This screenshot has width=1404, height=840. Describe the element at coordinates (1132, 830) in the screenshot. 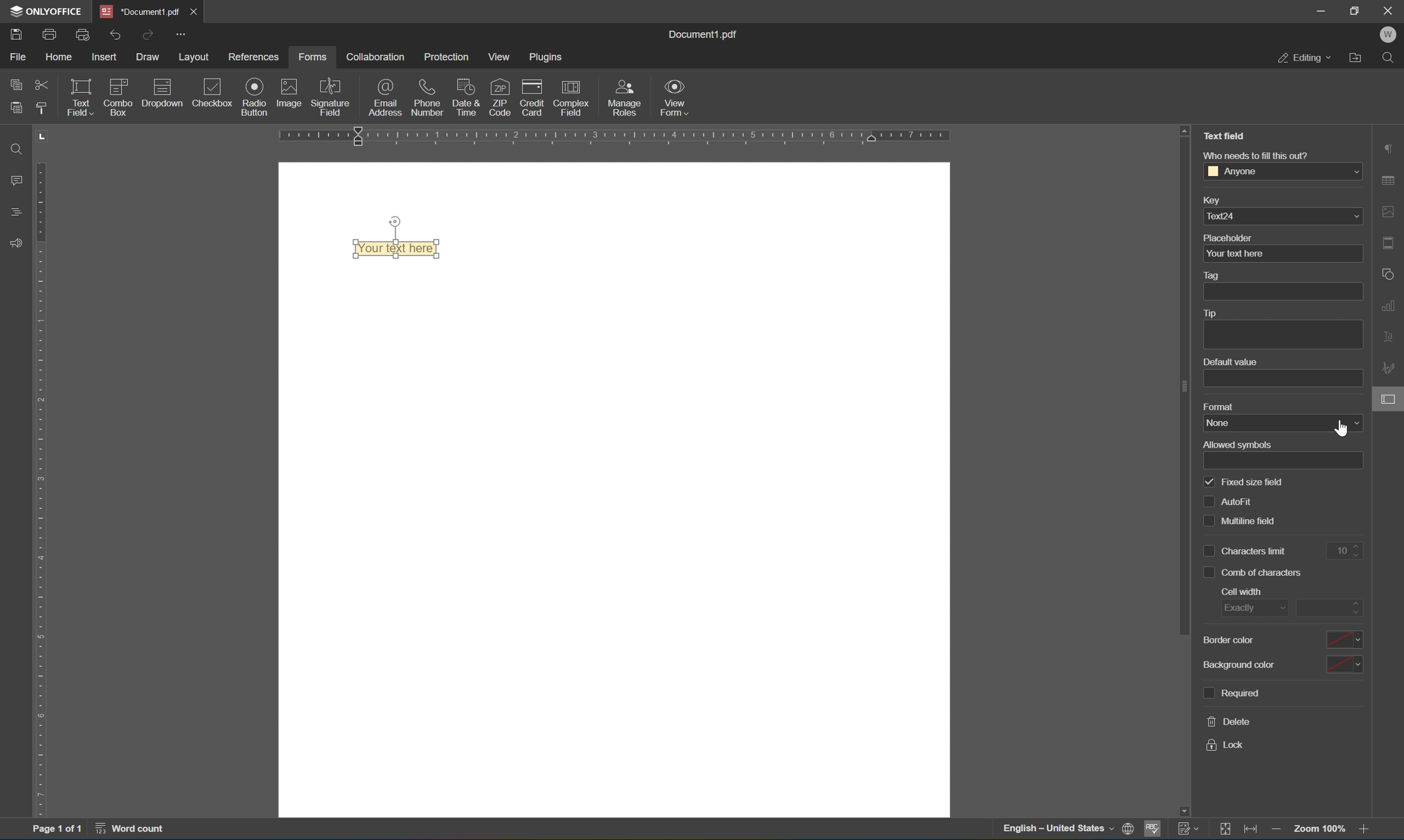

I see `set document language` at that location.